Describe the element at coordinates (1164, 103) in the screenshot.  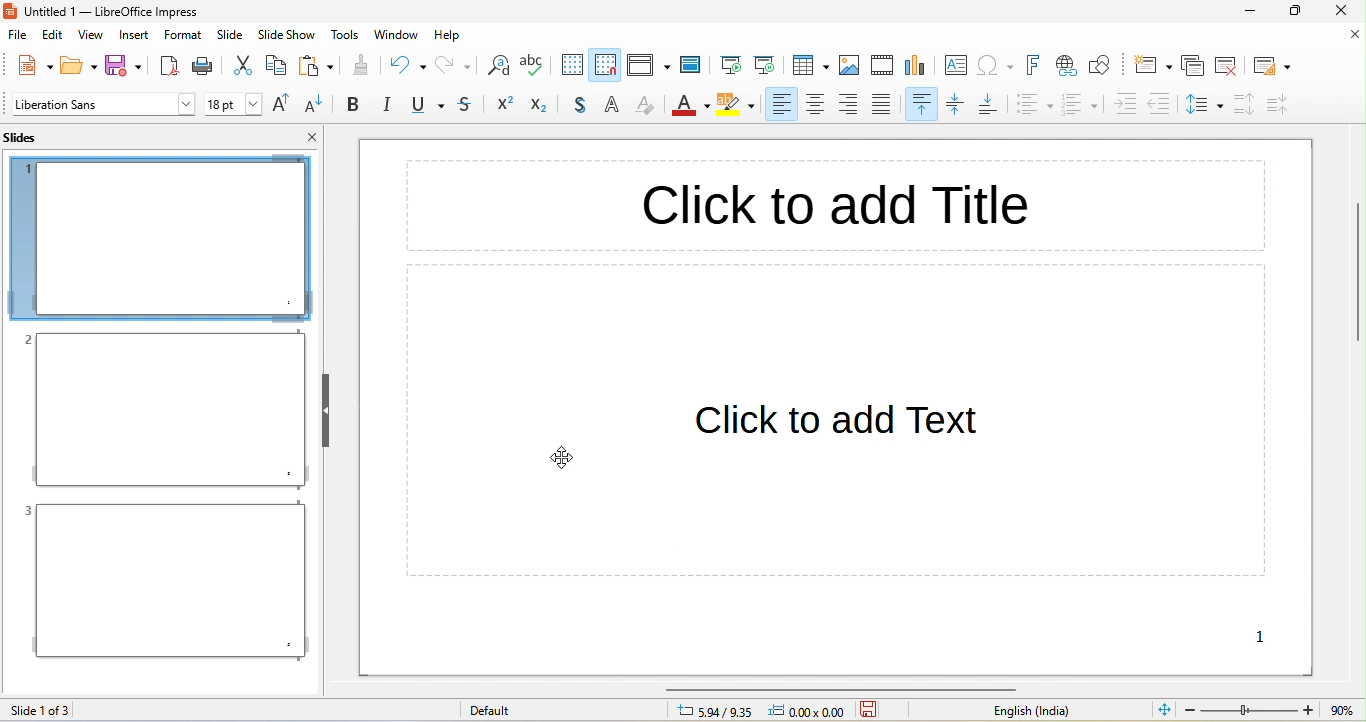
I see `decrease indent` at that location.